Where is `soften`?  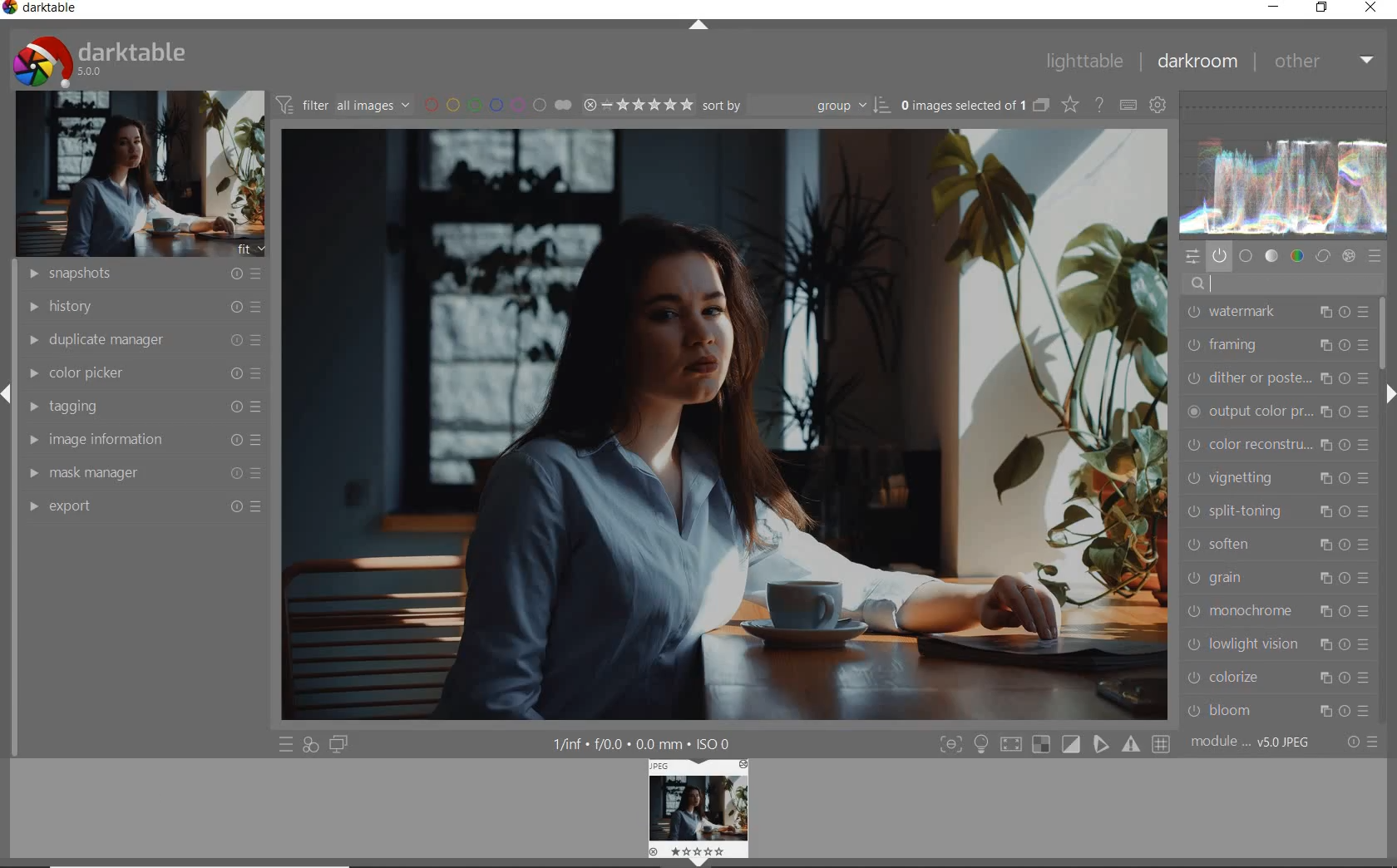 soften is located at coordinates (1276, 543).